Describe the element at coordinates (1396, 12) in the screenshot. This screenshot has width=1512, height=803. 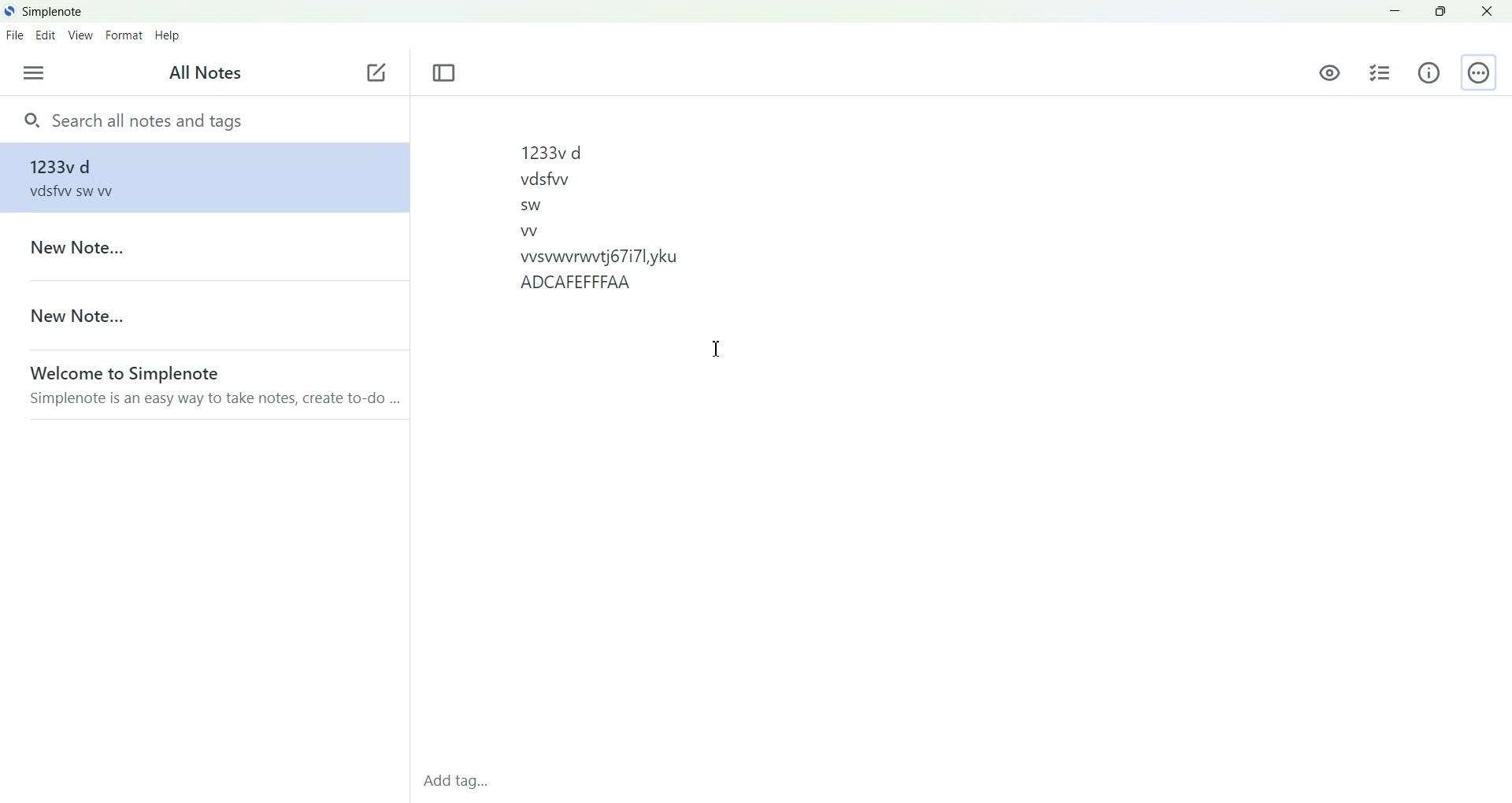
I see `Minimize` at that location.